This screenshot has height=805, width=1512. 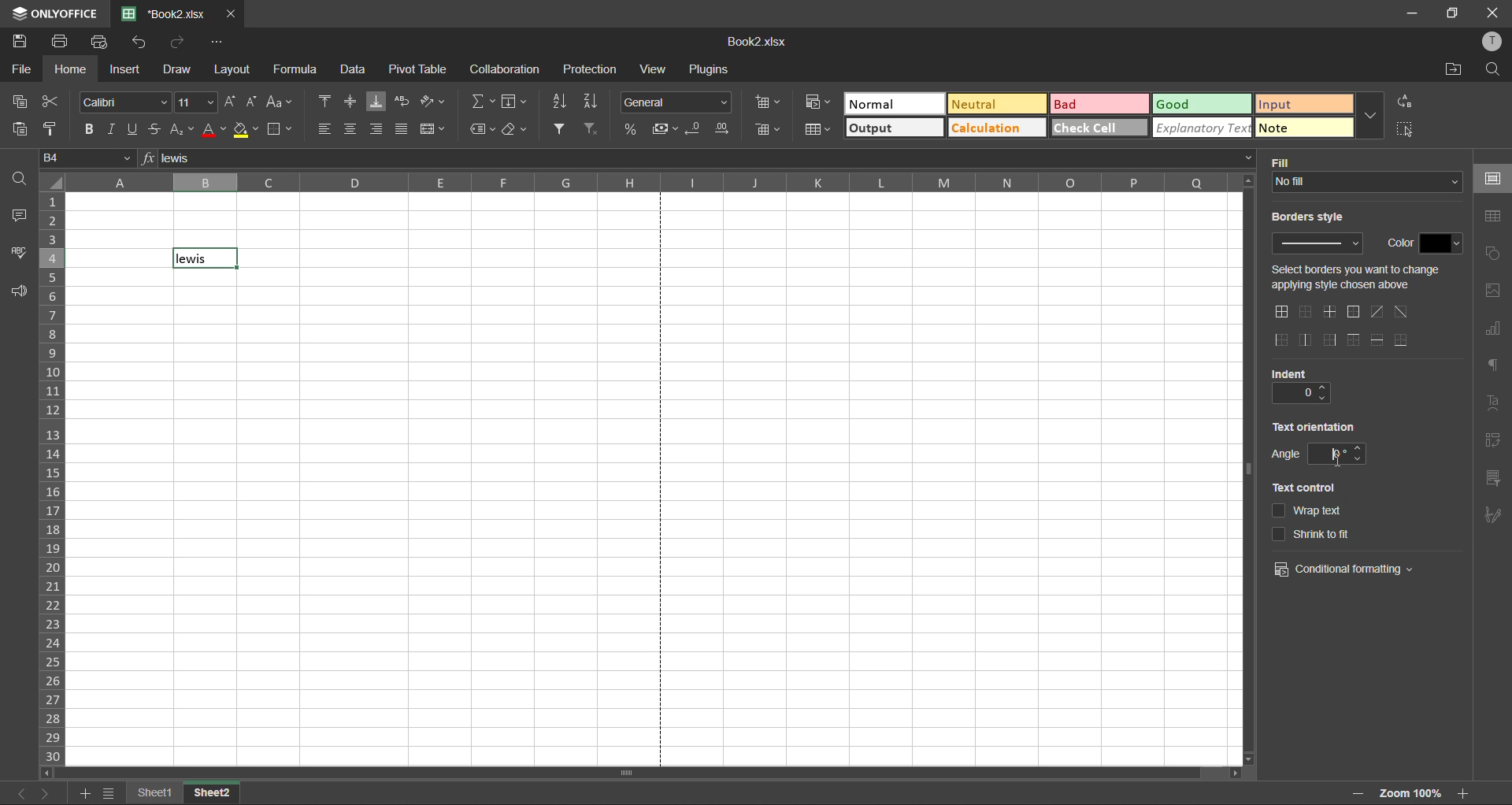 I want to click on sheet list, so click(x=109, y=793).